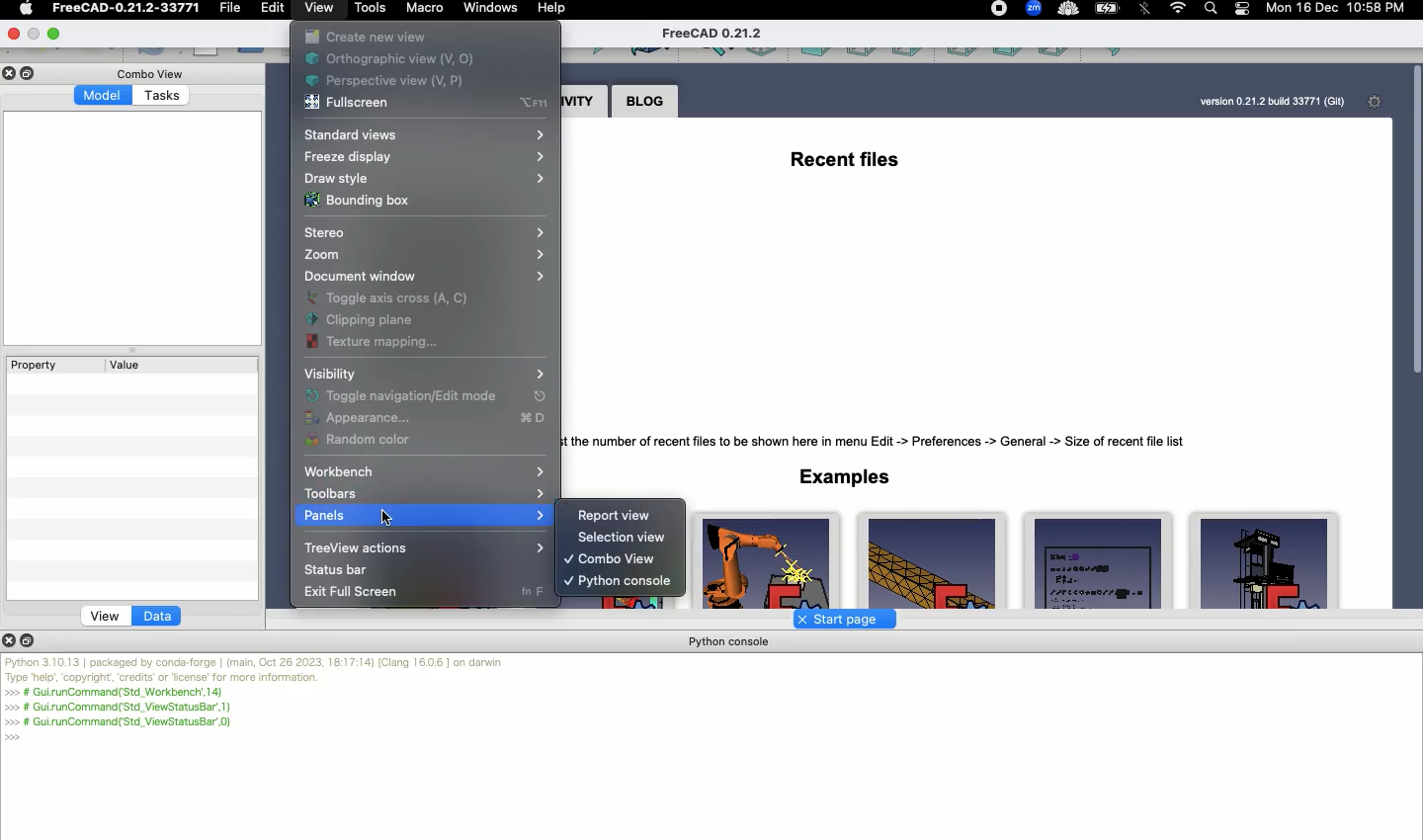 The image size is (1423, 840). I want to click on Combo view, so click(156, 73).